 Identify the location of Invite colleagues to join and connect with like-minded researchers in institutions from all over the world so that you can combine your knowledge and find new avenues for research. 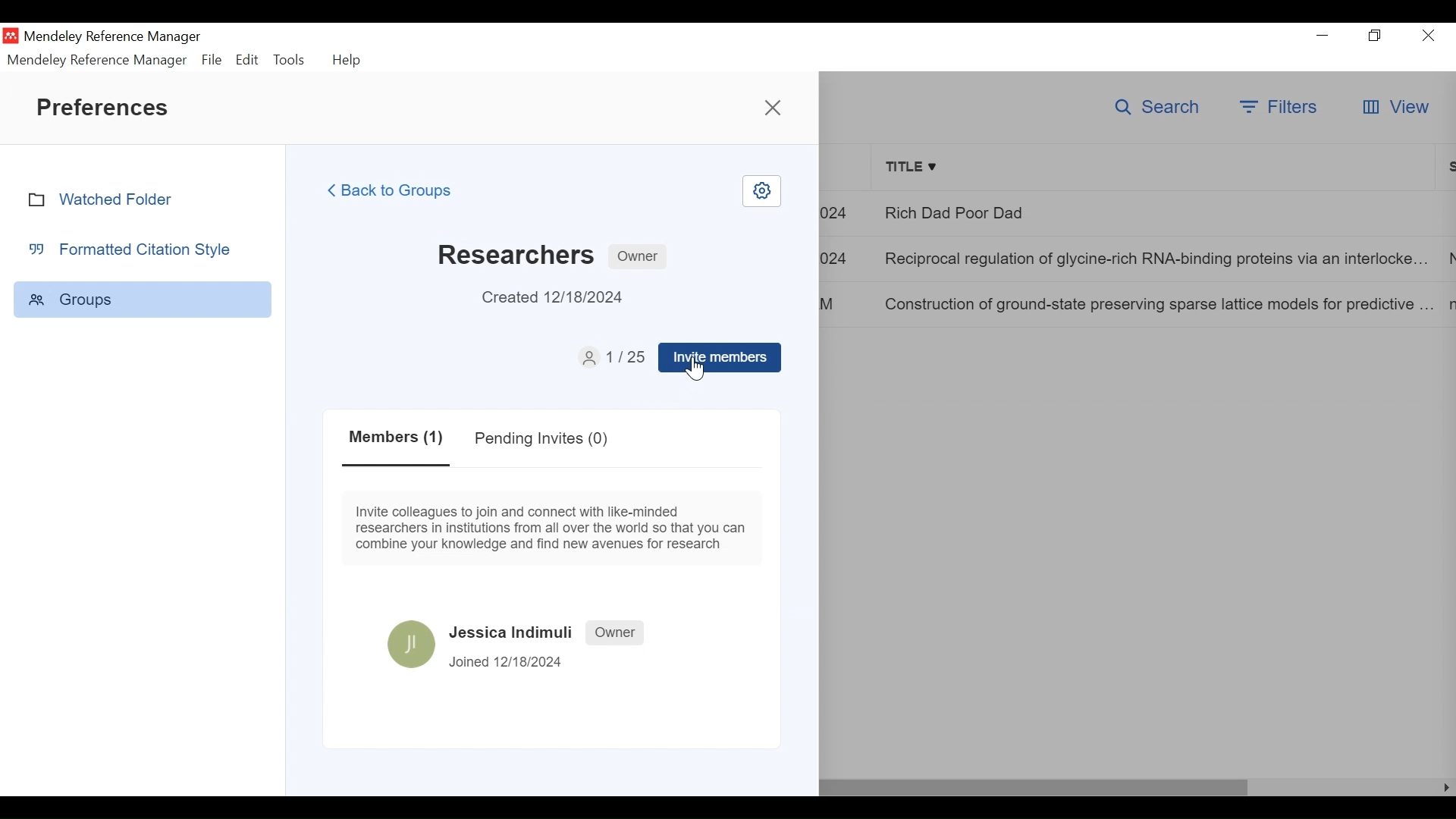
(554, 526).